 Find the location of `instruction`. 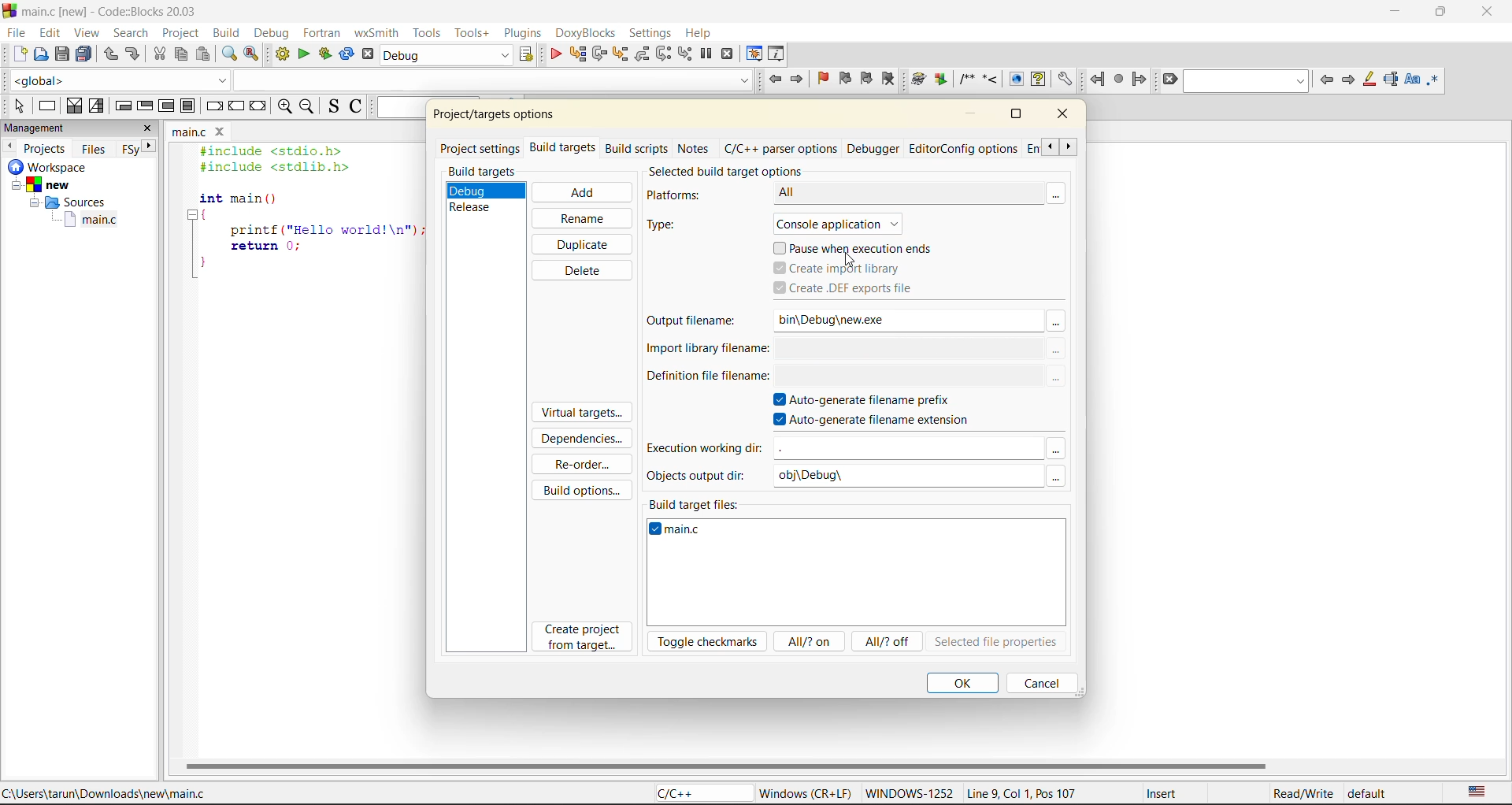

instruction is located at coordinates (50, 106).